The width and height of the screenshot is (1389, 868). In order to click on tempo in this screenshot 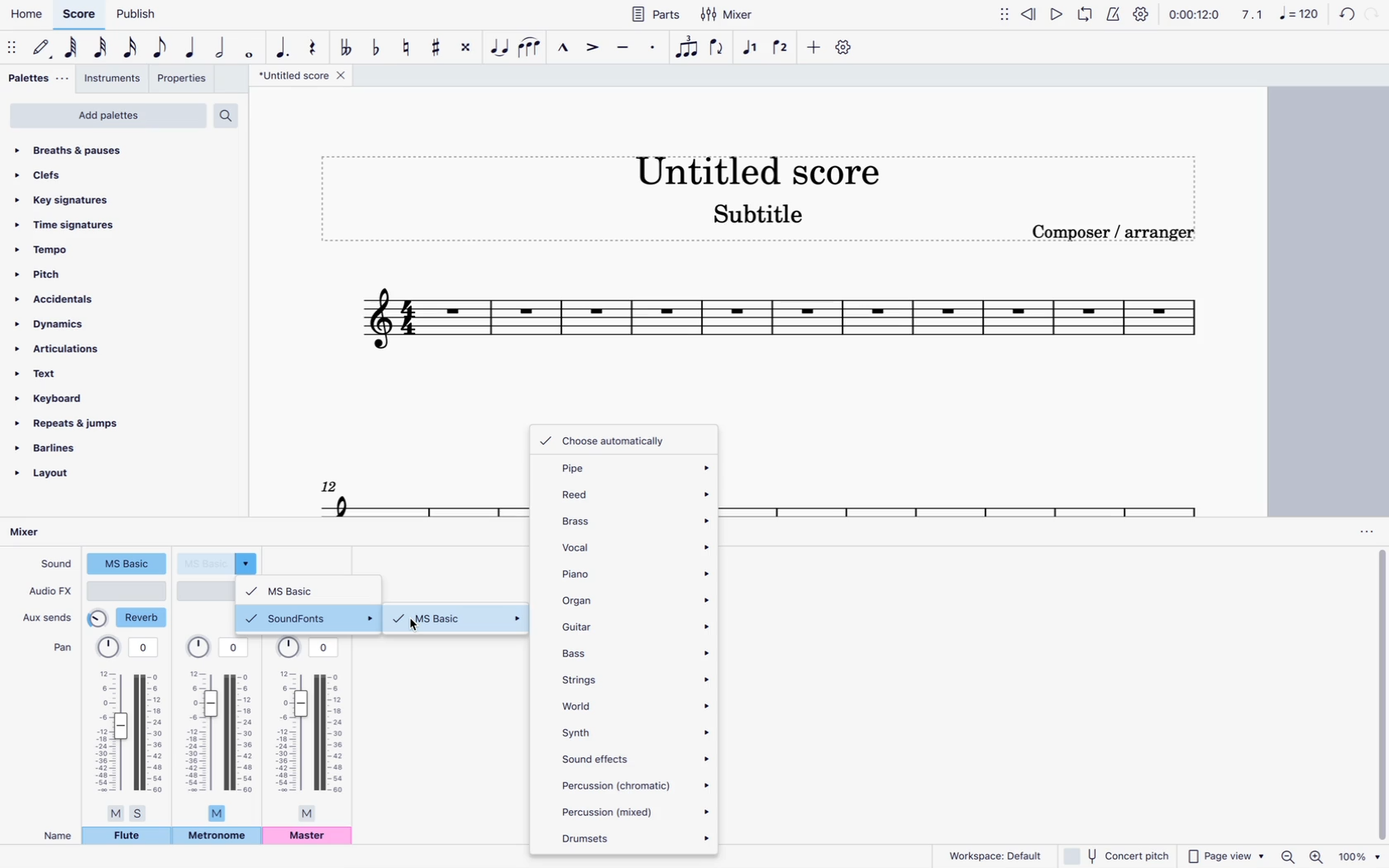, I will do `click(99, 250)`.